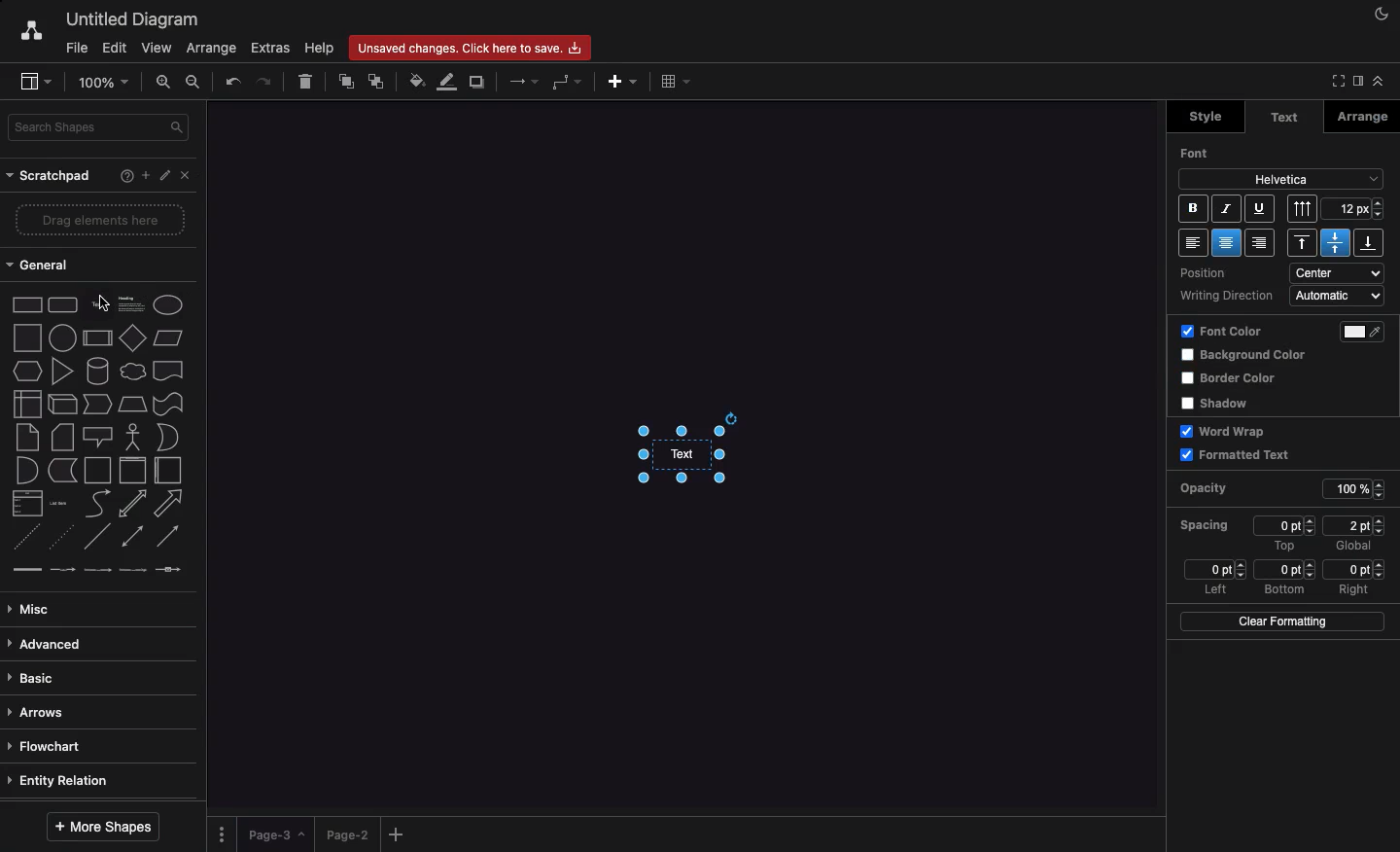 The height and width of the screenshot is (852, 1400). What do you see at coordinates (171, 569) in the screenshot?
I see `connector with symbol` at bounding box center [171, 569].